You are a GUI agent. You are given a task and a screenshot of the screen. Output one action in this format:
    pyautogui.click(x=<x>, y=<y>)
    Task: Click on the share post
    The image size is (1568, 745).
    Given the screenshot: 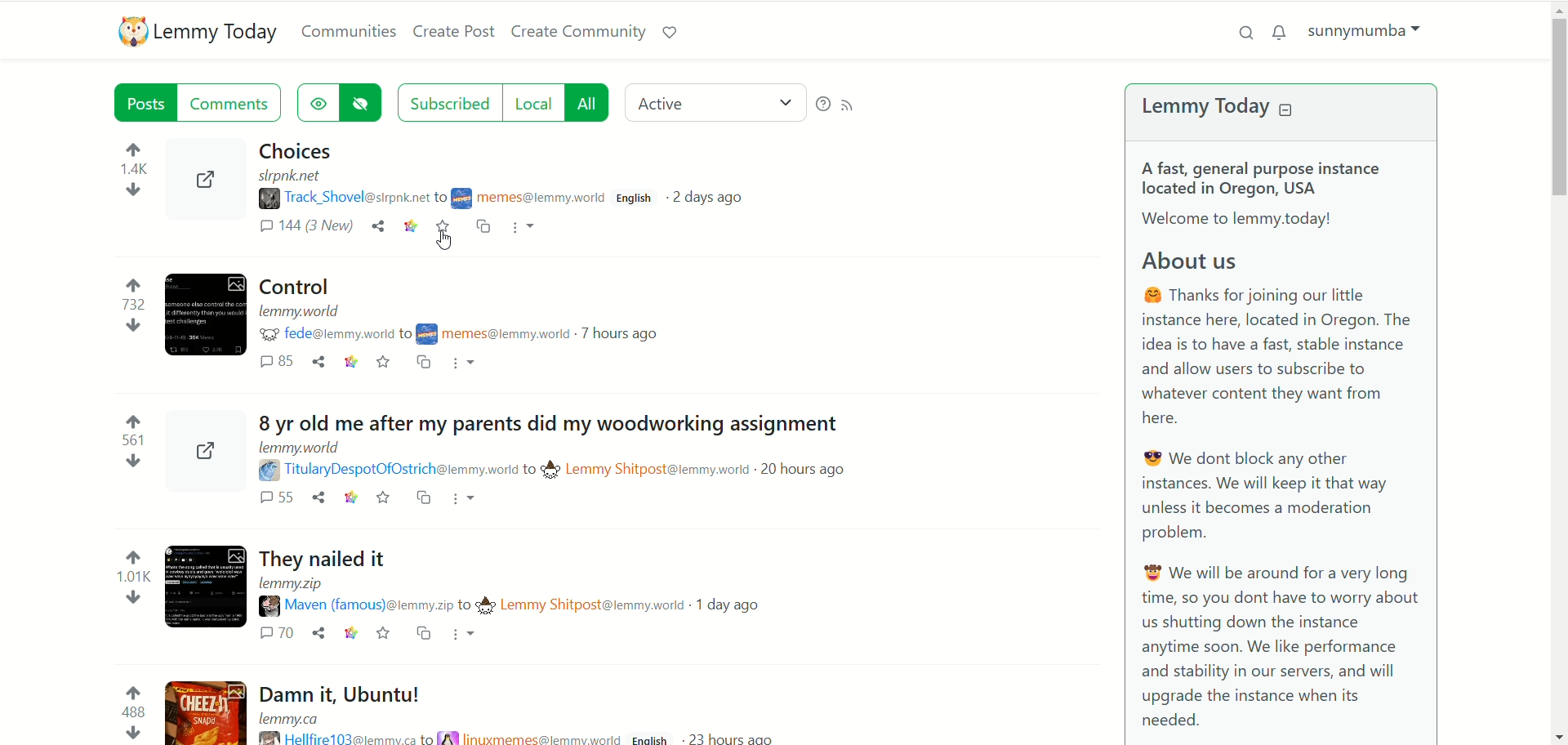 What is the action you would take?
    pyautogui.click(x=198, y=450)
    